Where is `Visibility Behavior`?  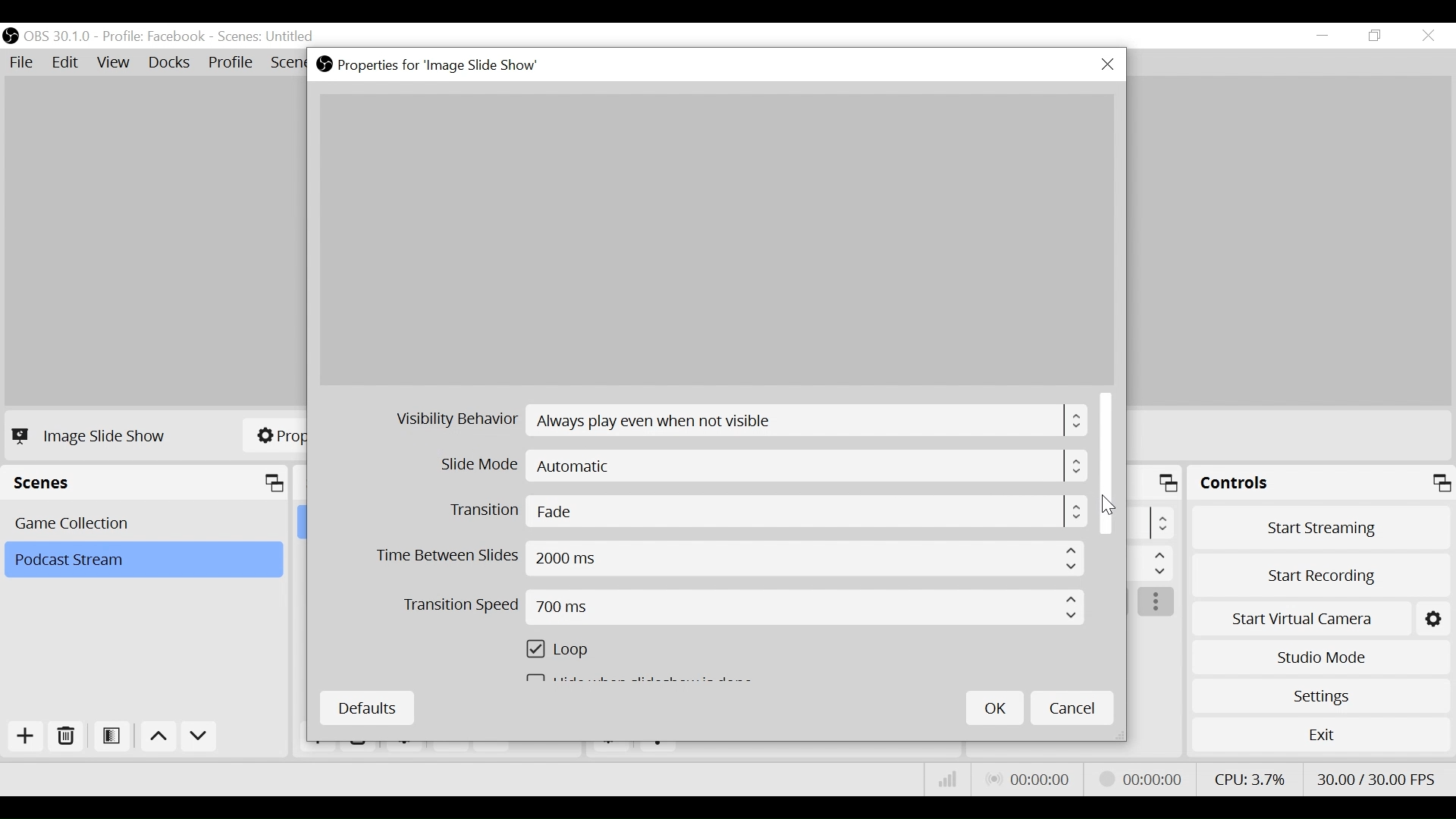 Visibility Behavior is located at coordinates (742, 421).